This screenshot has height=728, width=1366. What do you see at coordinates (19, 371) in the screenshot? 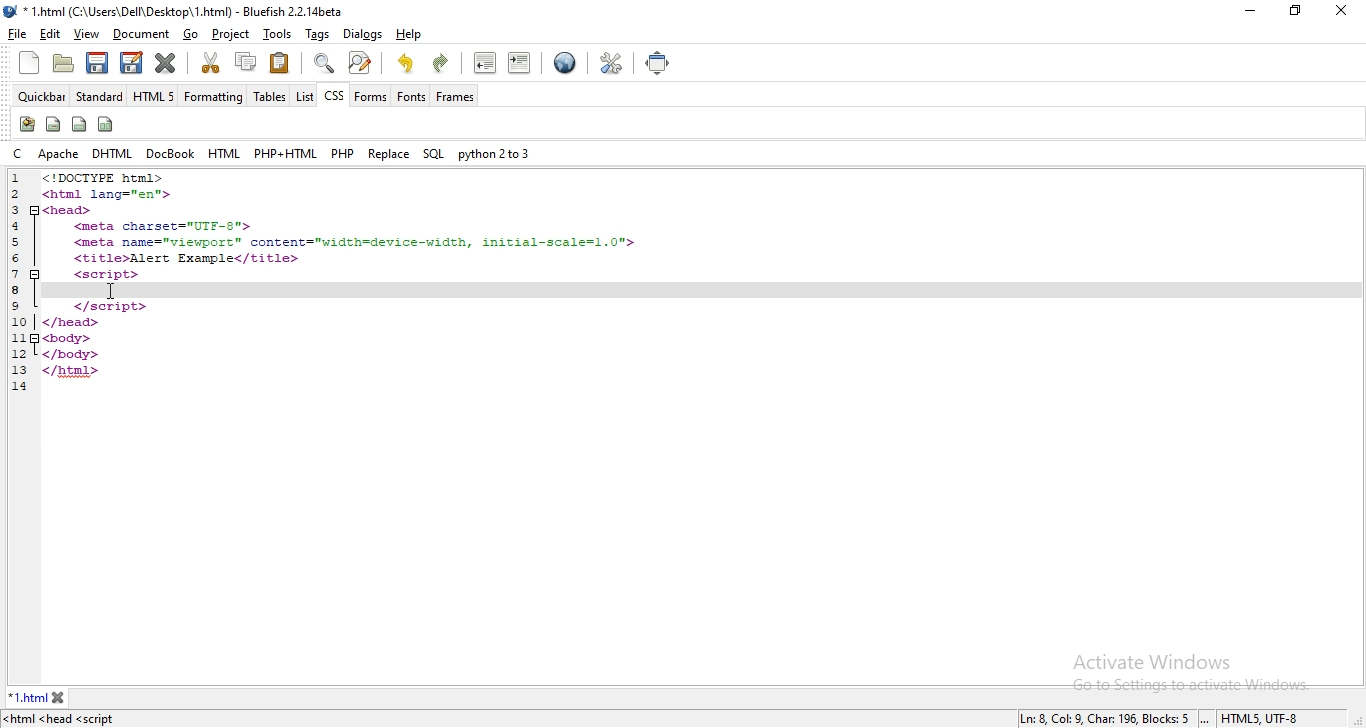
I see `13` at bounding box center [19, 371].